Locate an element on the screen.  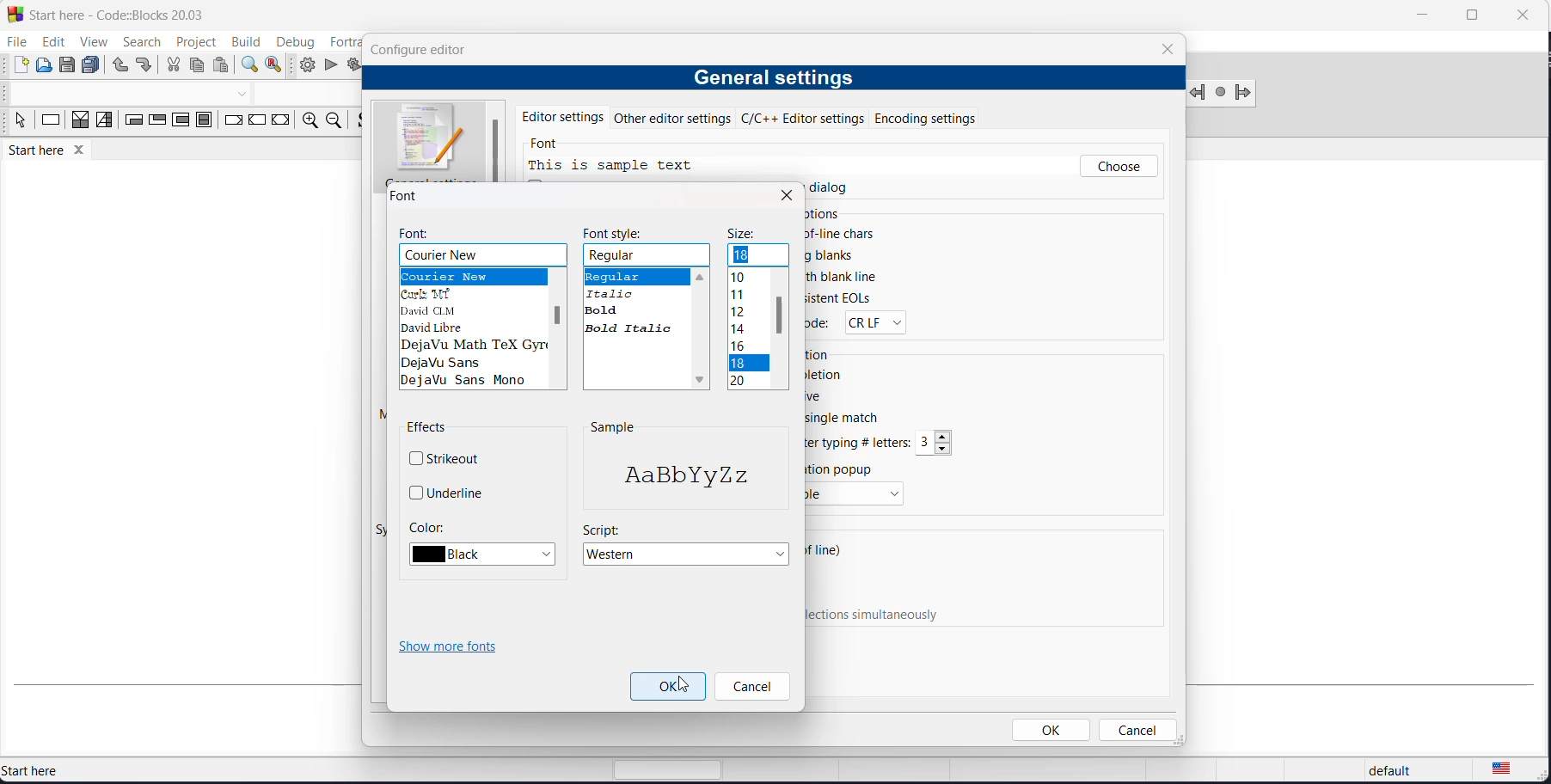
default is located at coordinates (1385, 772).